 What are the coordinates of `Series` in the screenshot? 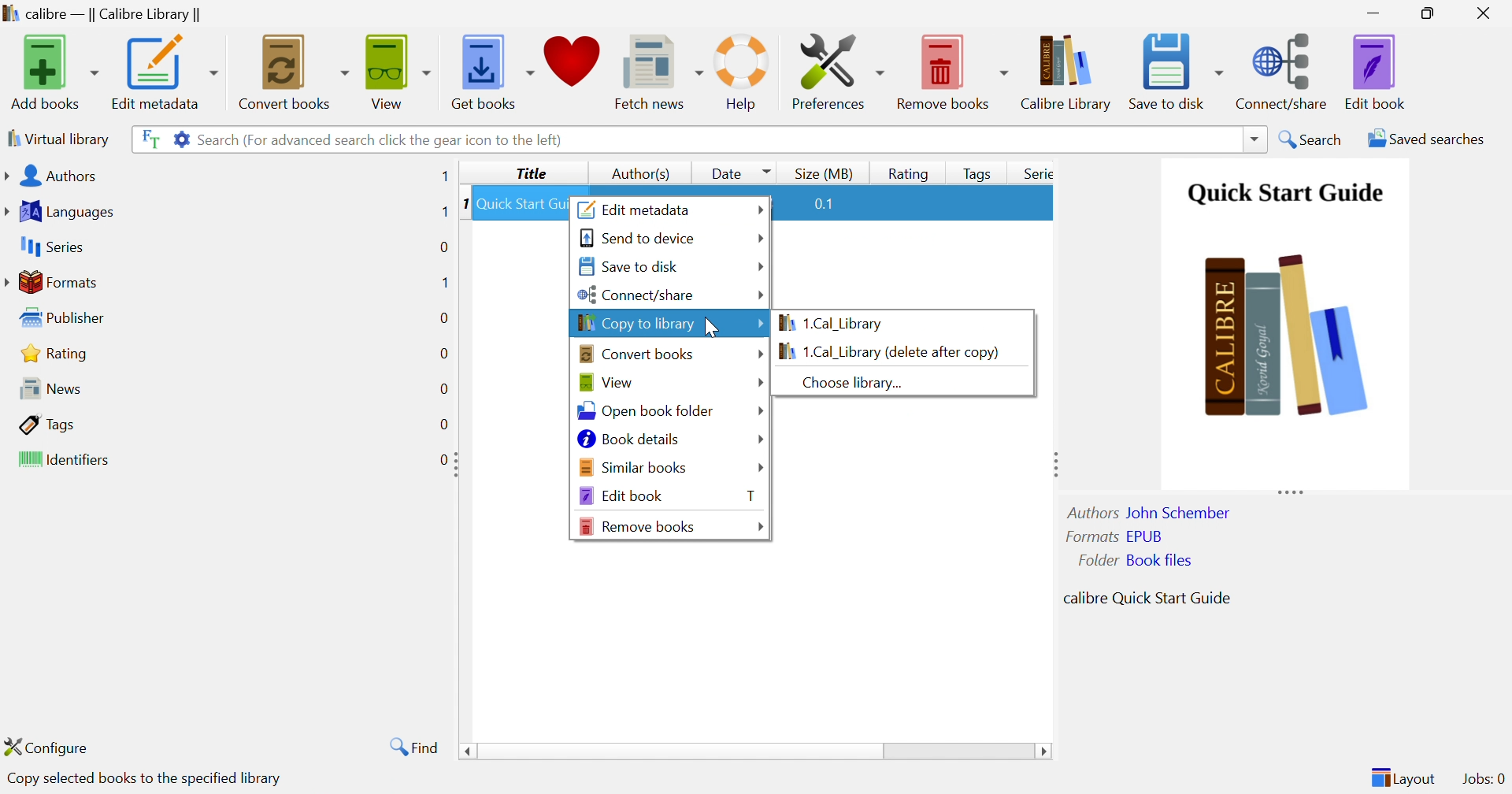 It's located at (1036, 173).